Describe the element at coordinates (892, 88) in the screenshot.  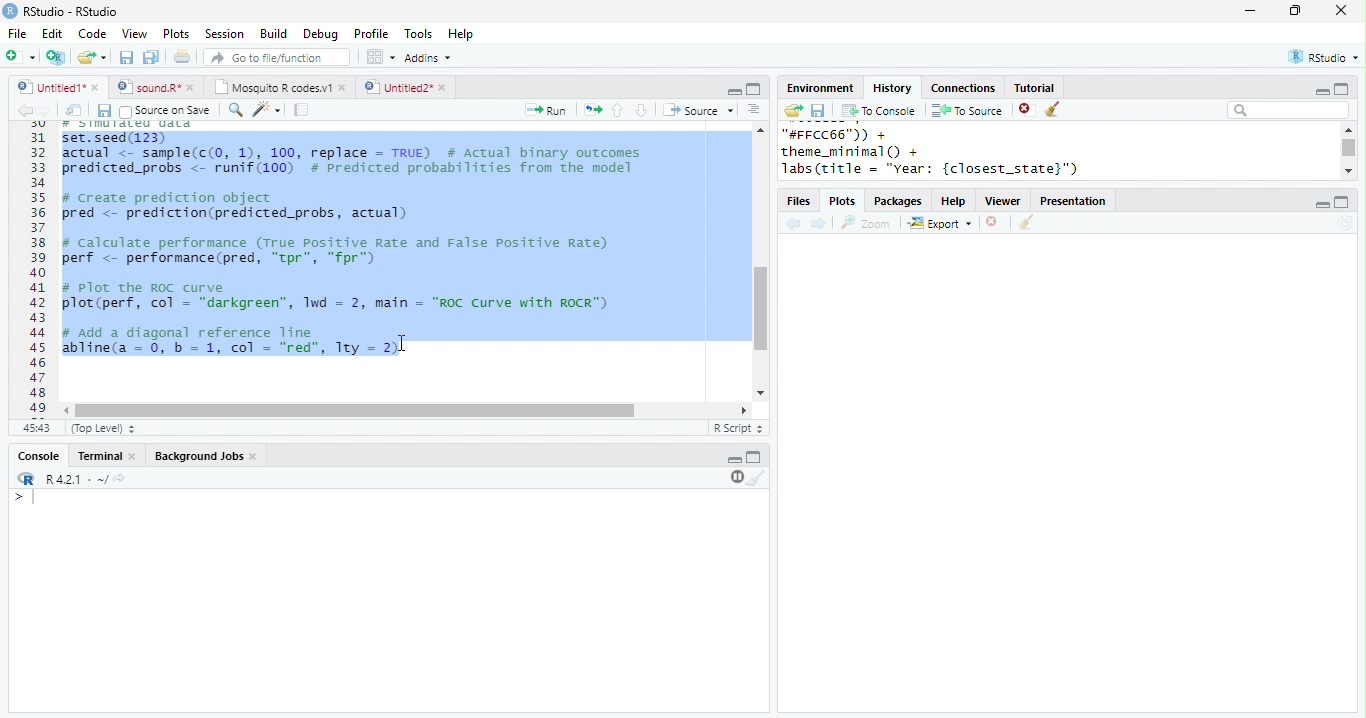
I see `History` at that location.